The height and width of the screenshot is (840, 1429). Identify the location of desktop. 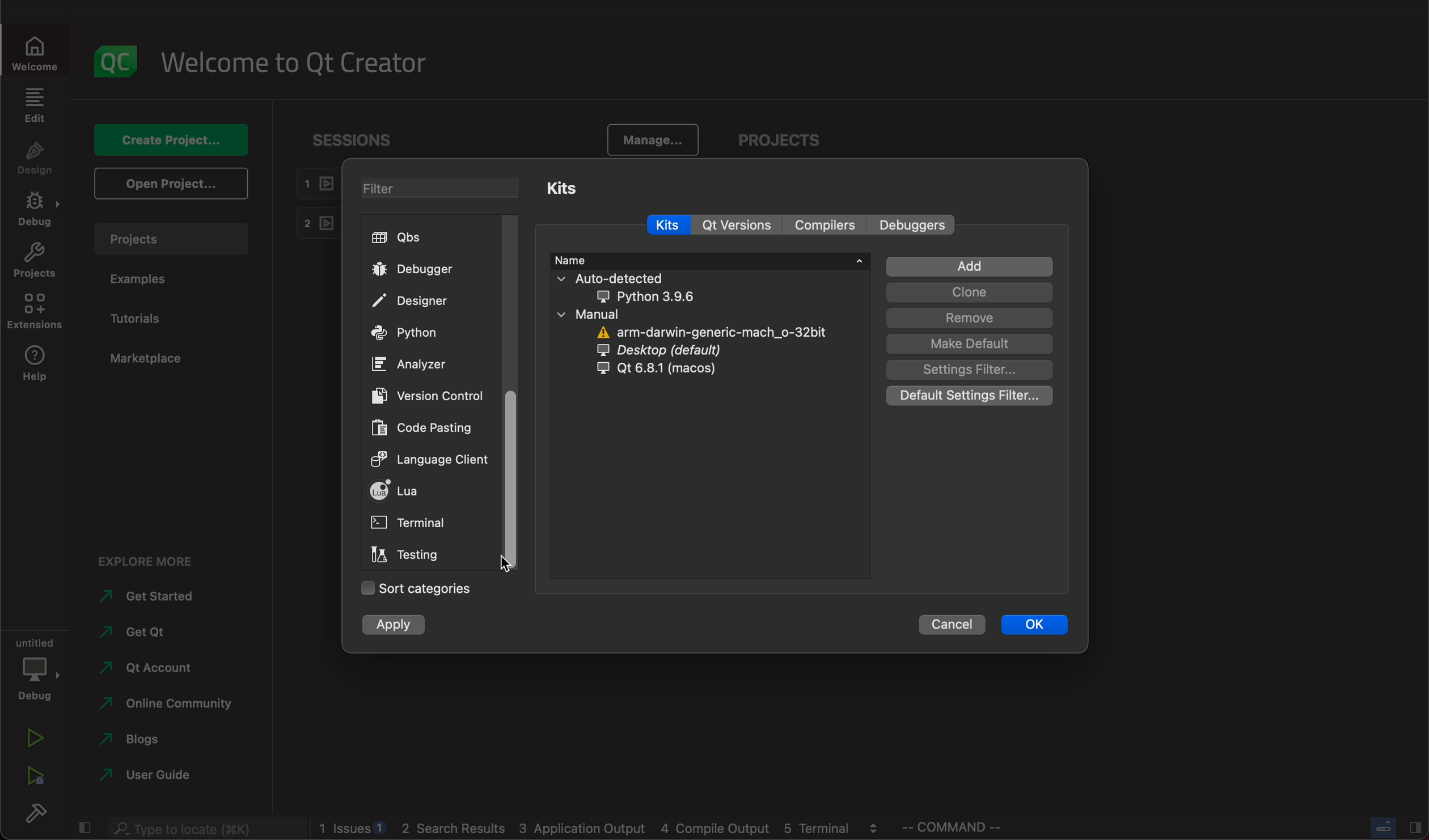
(683, 351).